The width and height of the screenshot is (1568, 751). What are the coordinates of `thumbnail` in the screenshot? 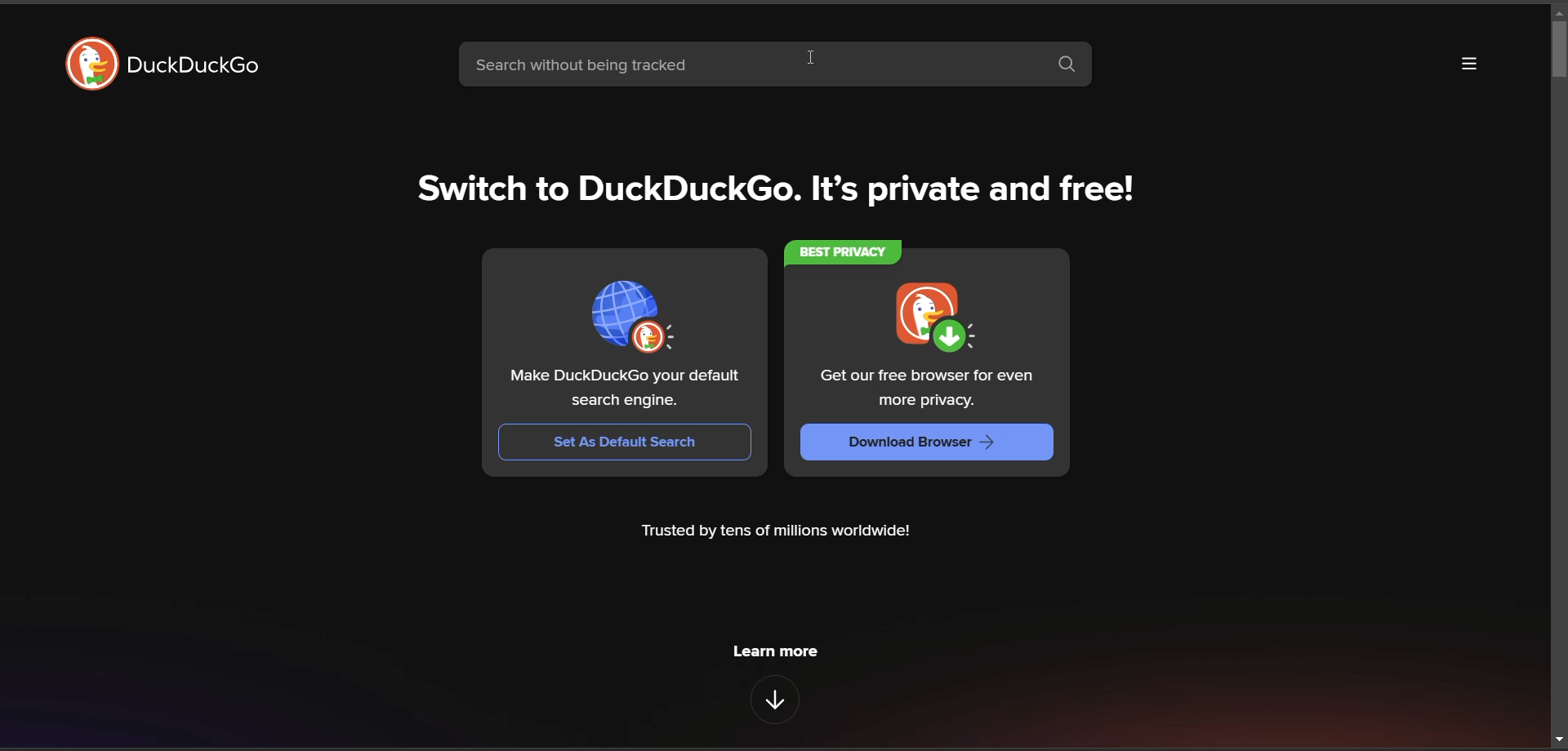 It's located at (632, 319).